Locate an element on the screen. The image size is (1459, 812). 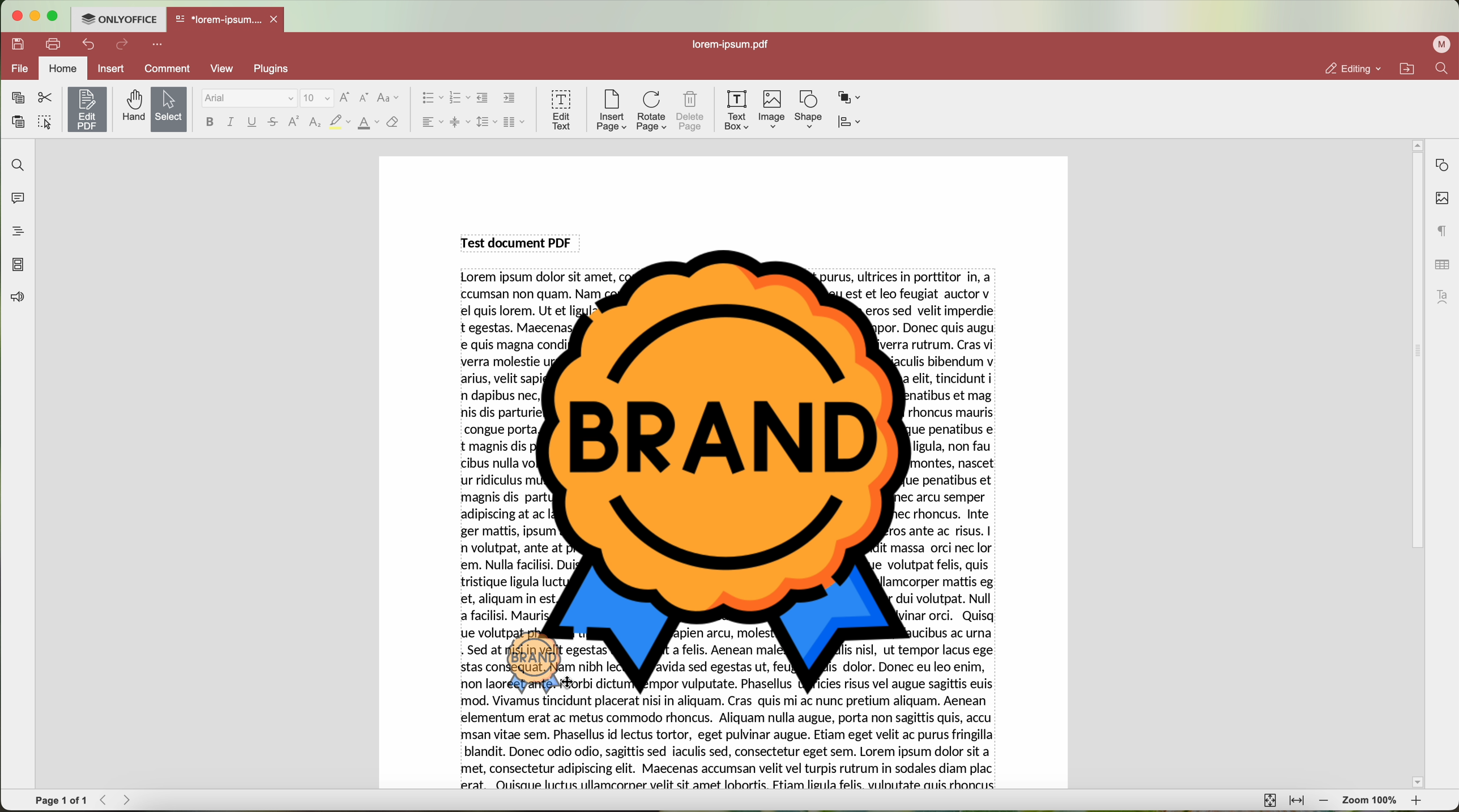
select is located at coordinates (169, 110).